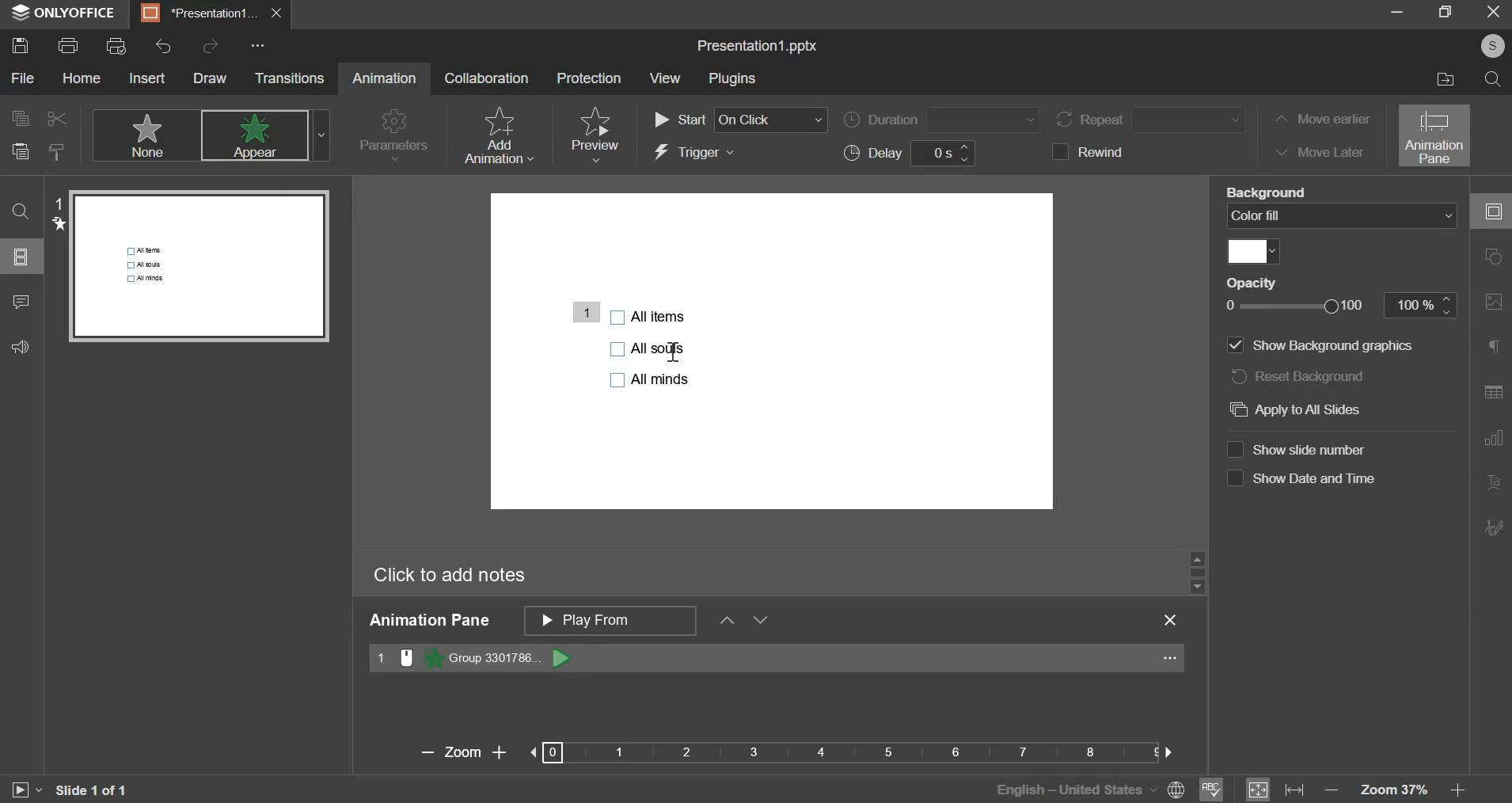 The height and width of the screenshot is (803, 1512). I want to click on right side bar, so click(1493, 370).